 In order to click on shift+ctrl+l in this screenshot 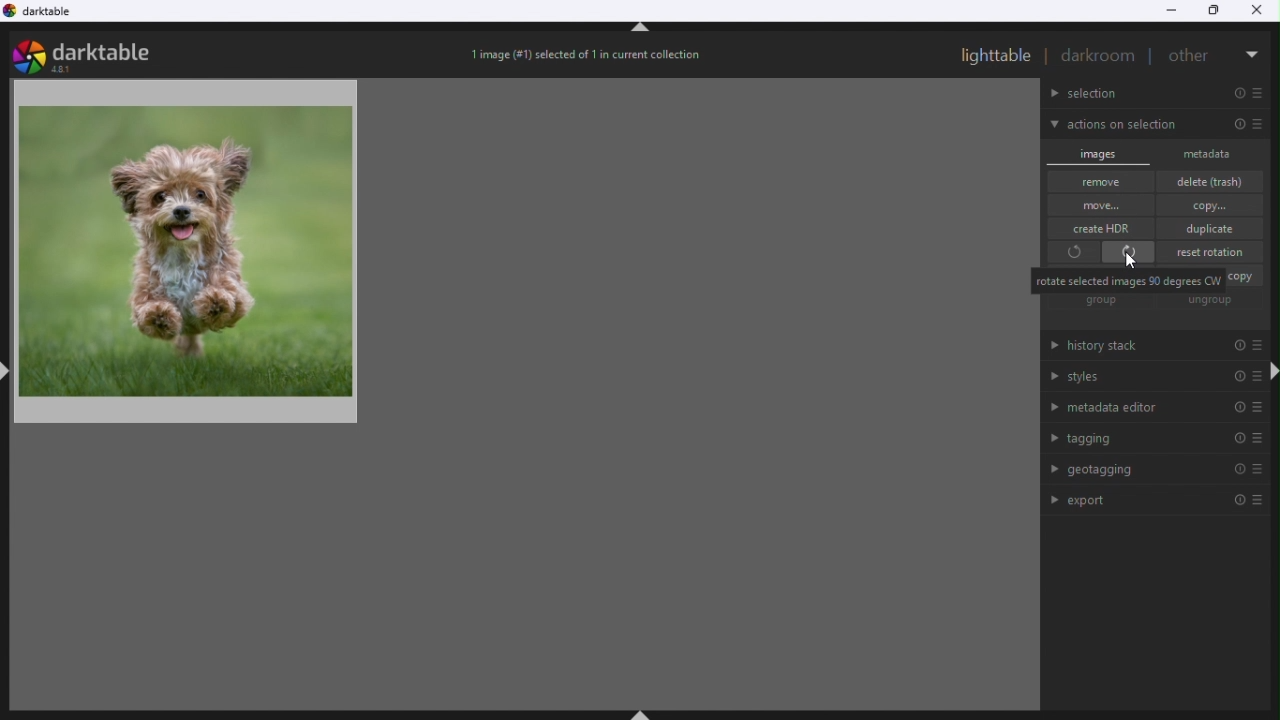, I will do `click(8, 369)`.